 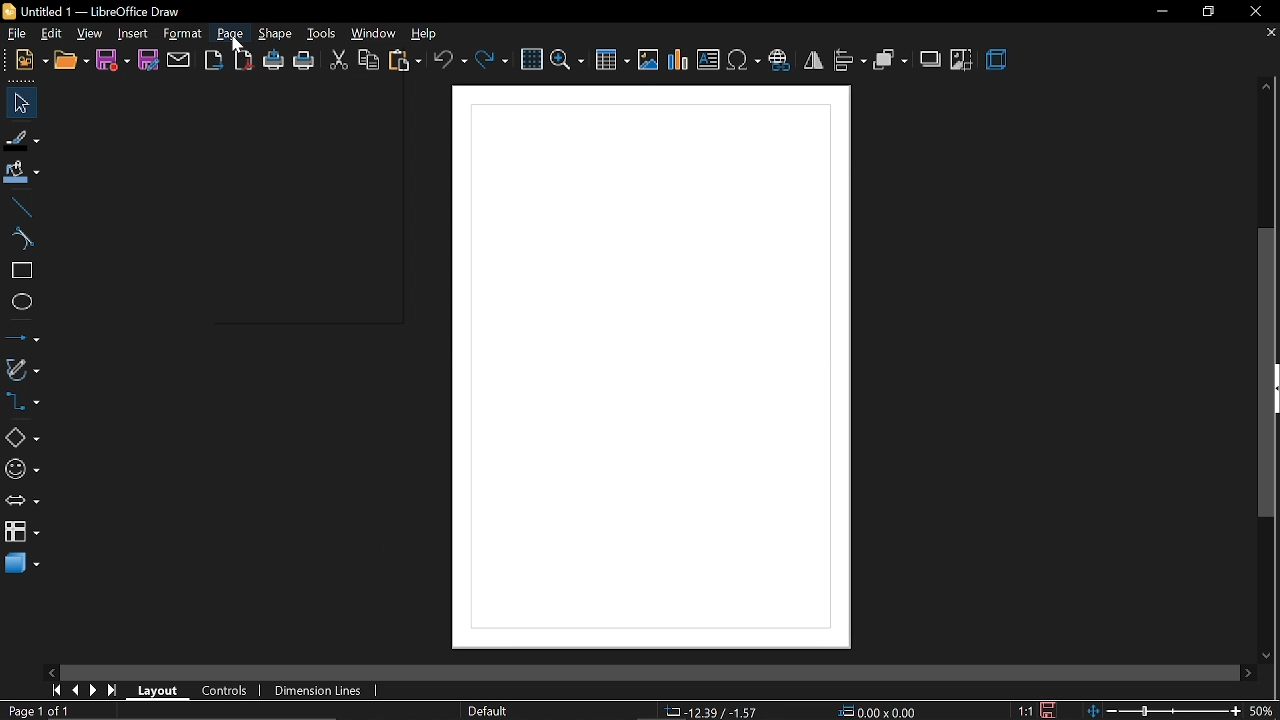 I want to click on close, so click(x=1257, y=14).